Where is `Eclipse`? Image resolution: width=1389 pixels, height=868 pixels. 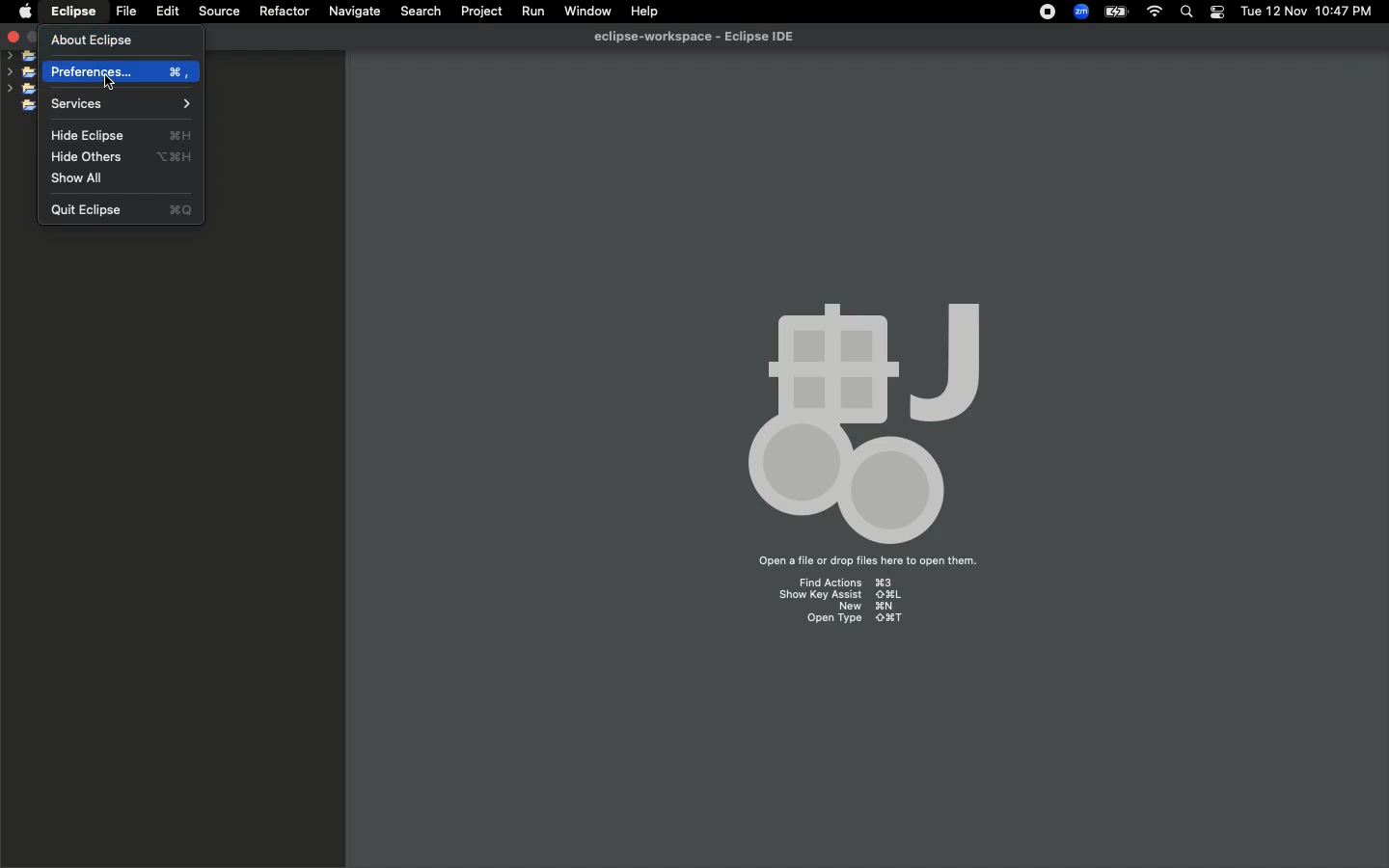
Eclipse is located at coordinates (75, 14).